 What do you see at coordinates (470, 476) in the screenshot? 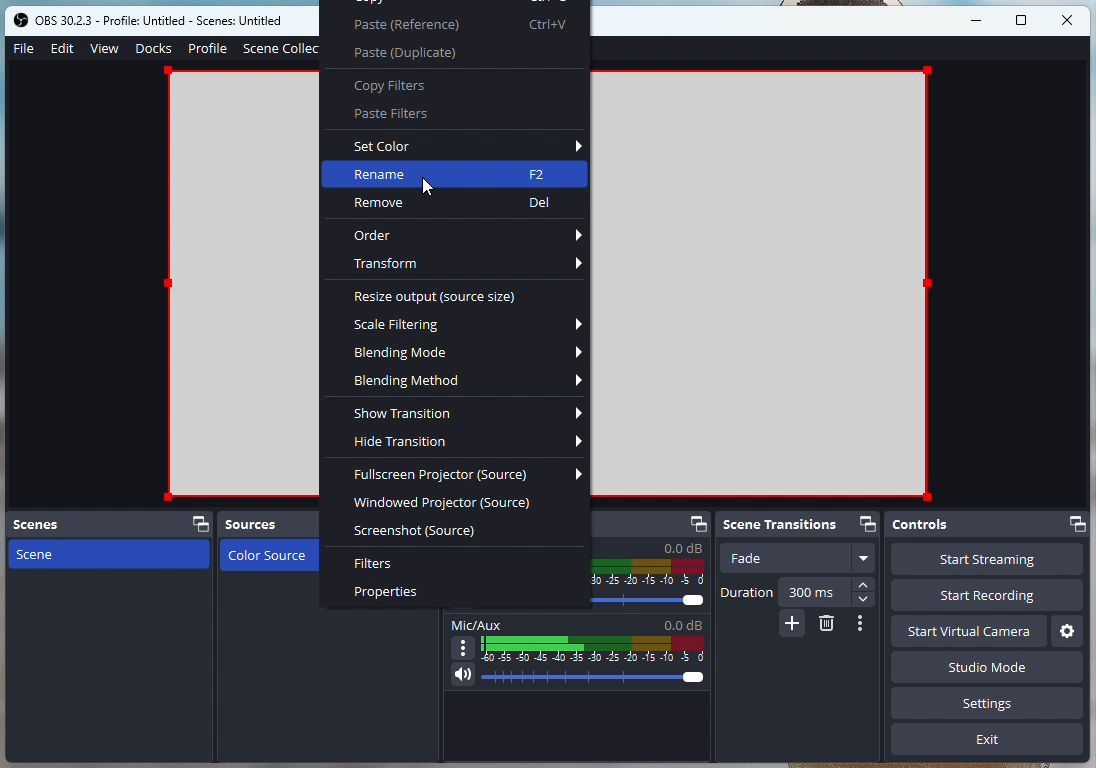
I see `FullScreen Projector (Source)` at bounding box center [470, 476].